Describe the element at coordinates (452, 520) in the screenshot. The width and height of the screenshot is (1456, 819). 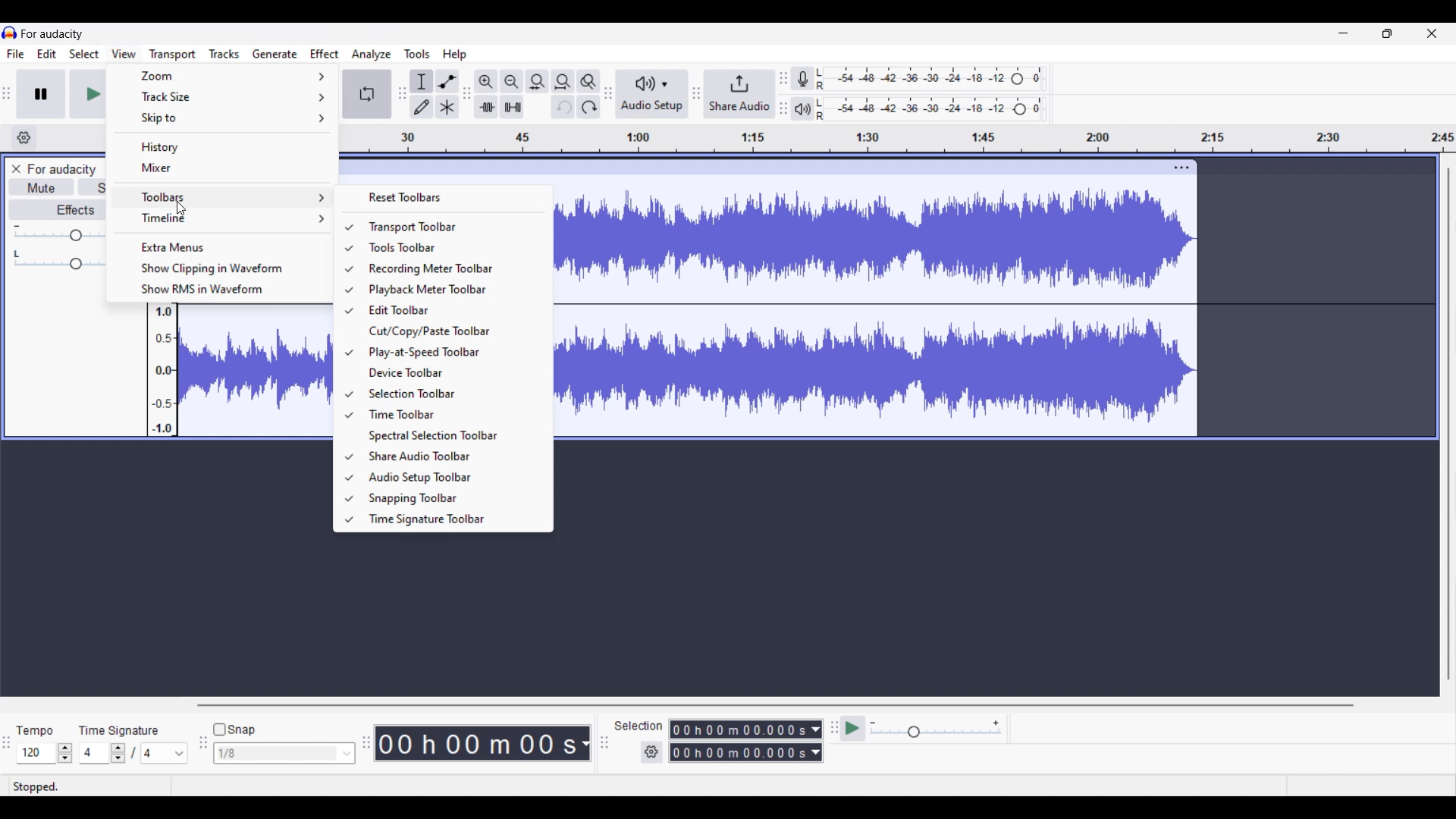
I see `Time signature toolbar` at that location.